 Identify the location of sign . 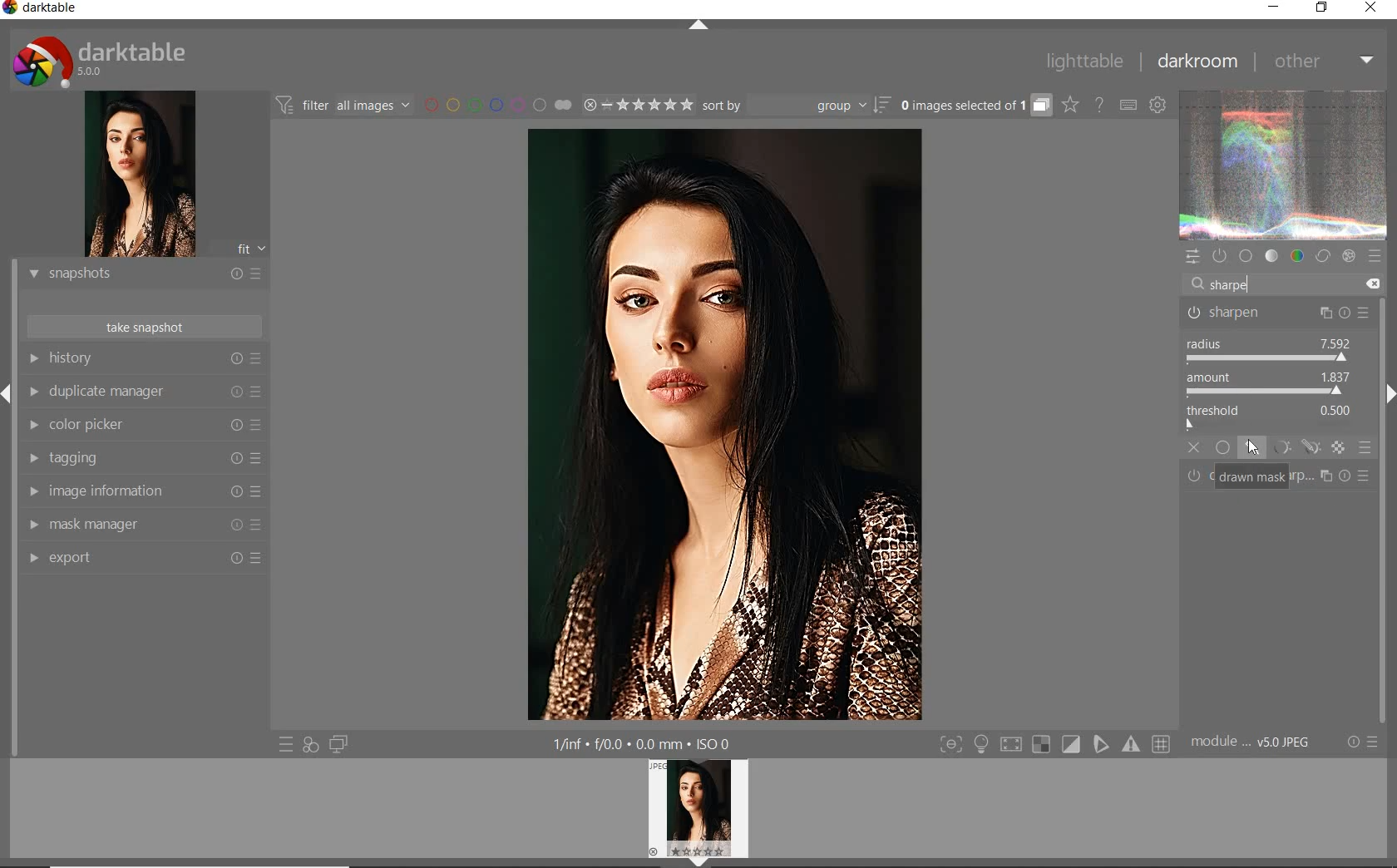
(1133, 747).